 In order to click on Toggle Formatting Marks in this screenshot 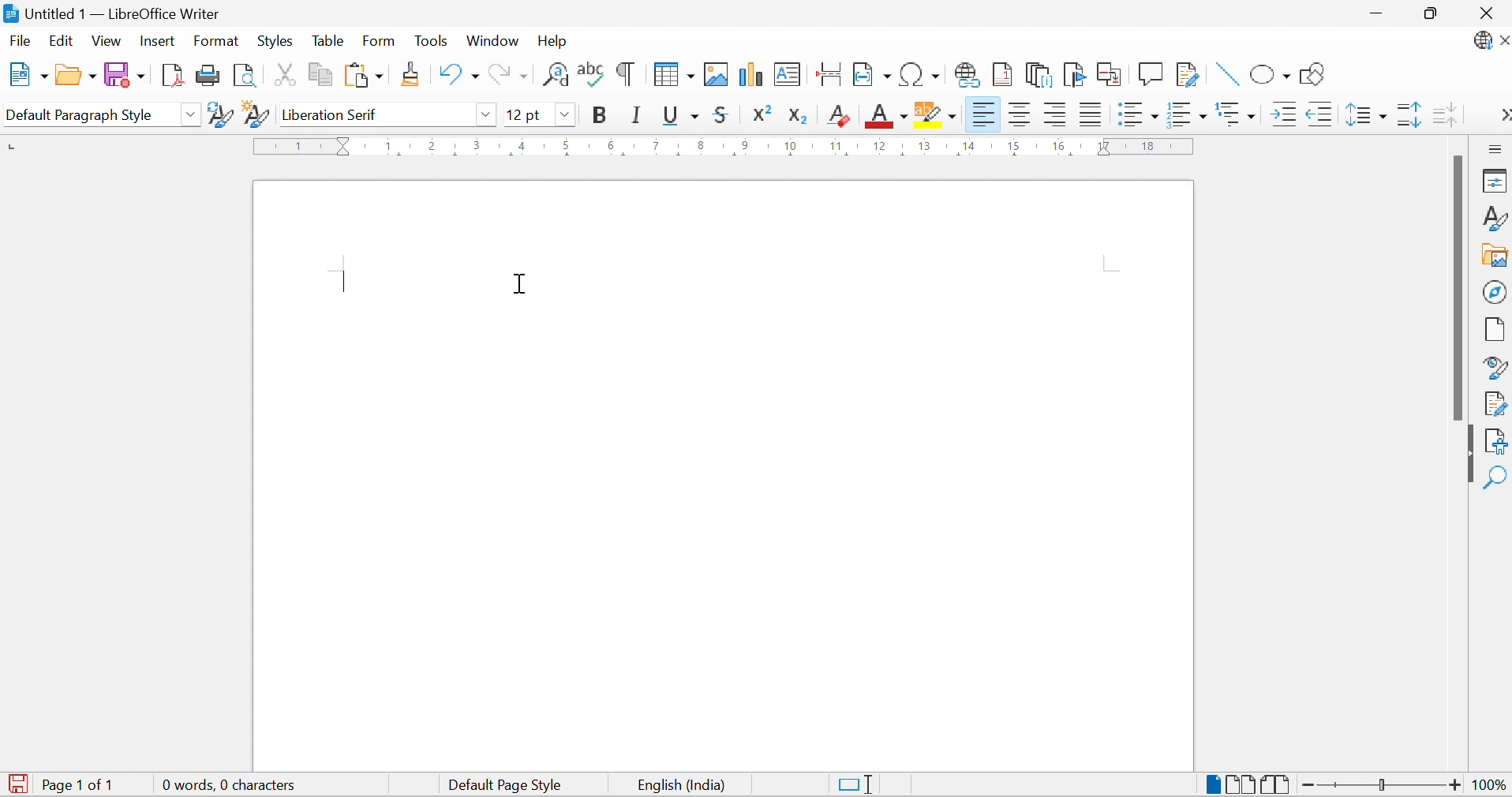, I will do `click(624, 75)`.